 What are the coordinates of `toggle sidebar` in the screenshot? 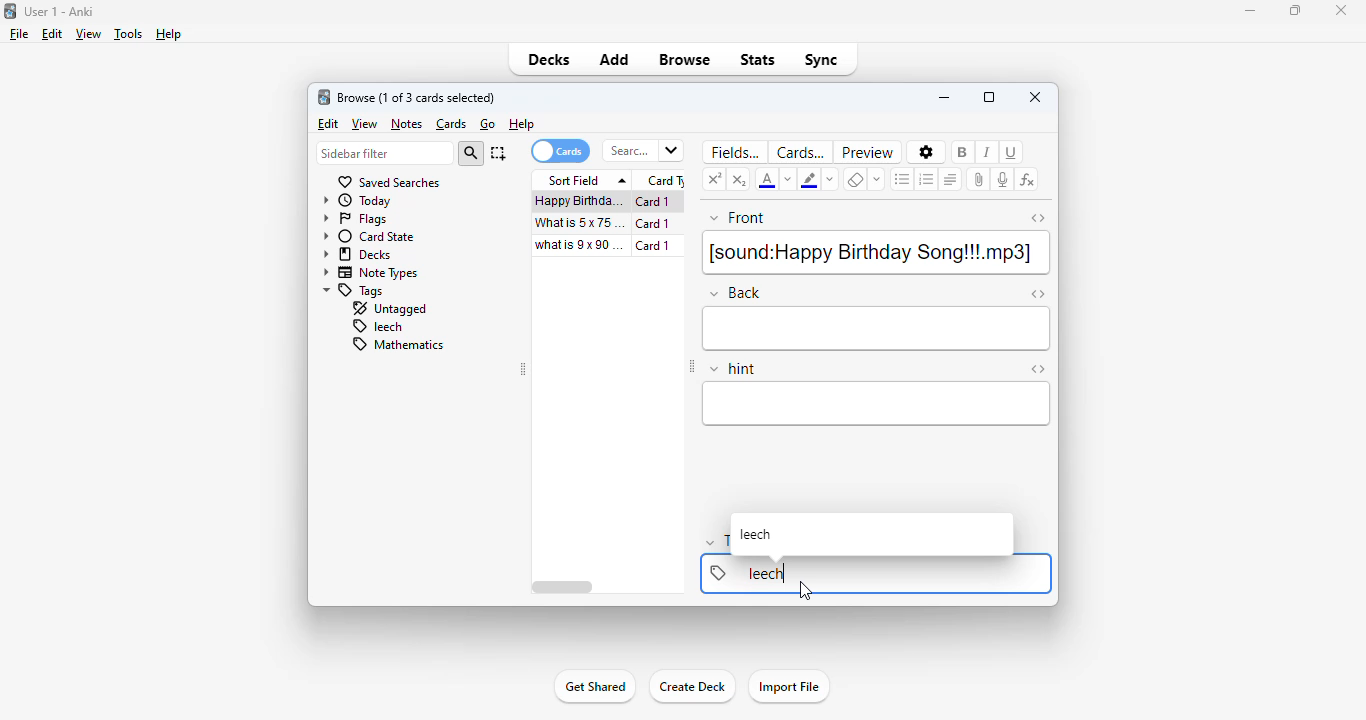 It's located at (692, 368).